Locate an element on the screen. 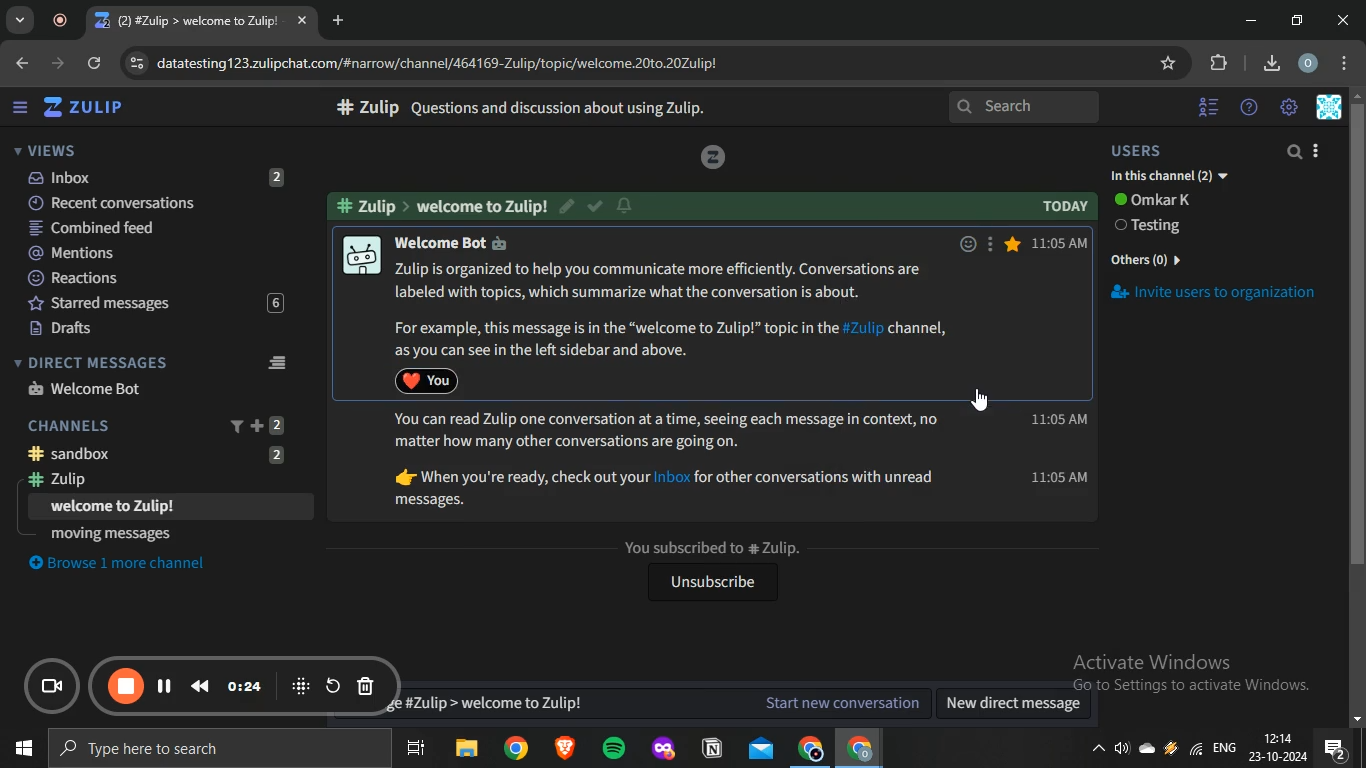  browse 1 more channel is located at coordinates (127, 562).